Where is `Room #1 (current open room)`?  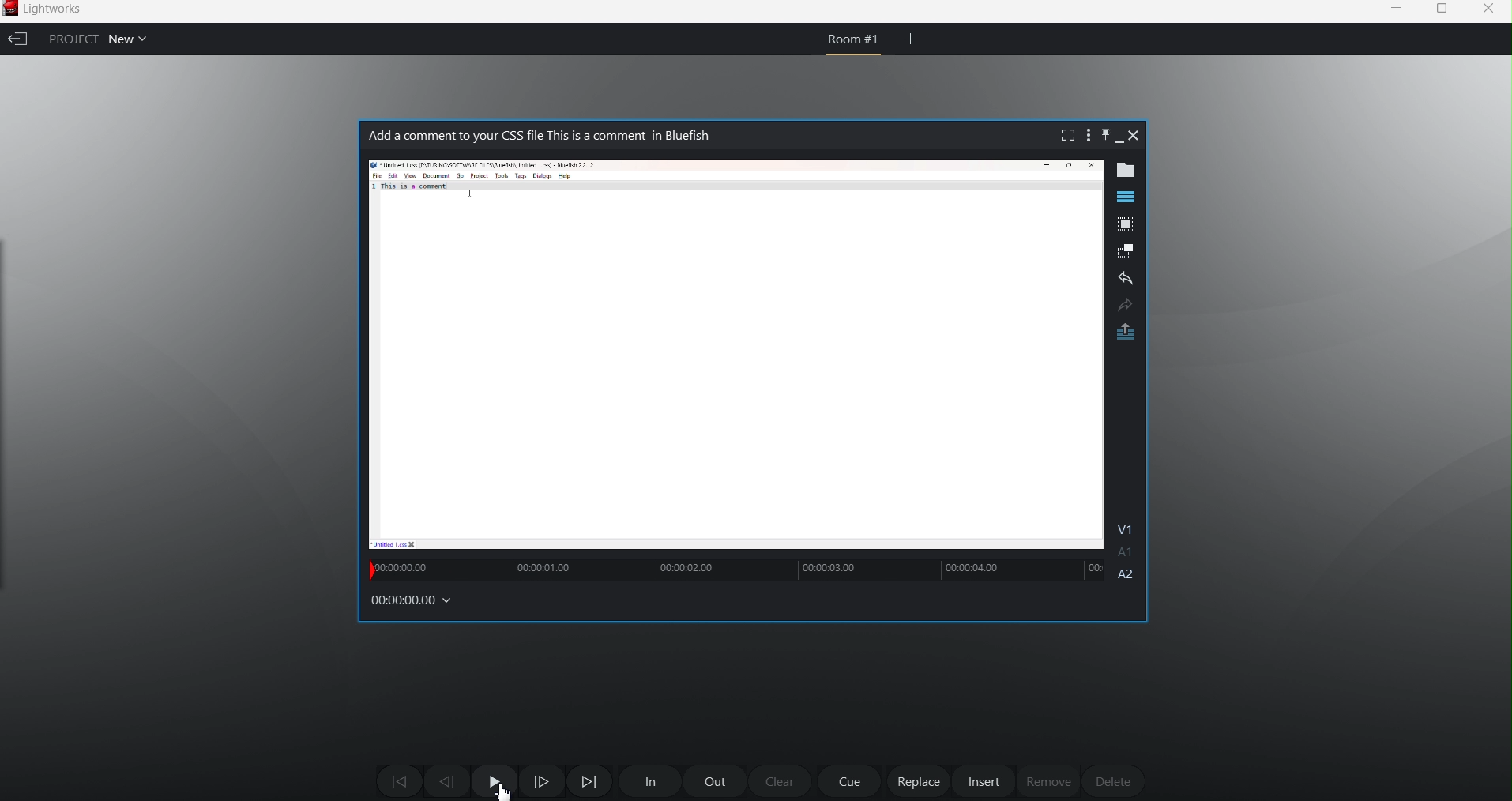
Room #1 (current open room) is located at coordinates (854, 44).